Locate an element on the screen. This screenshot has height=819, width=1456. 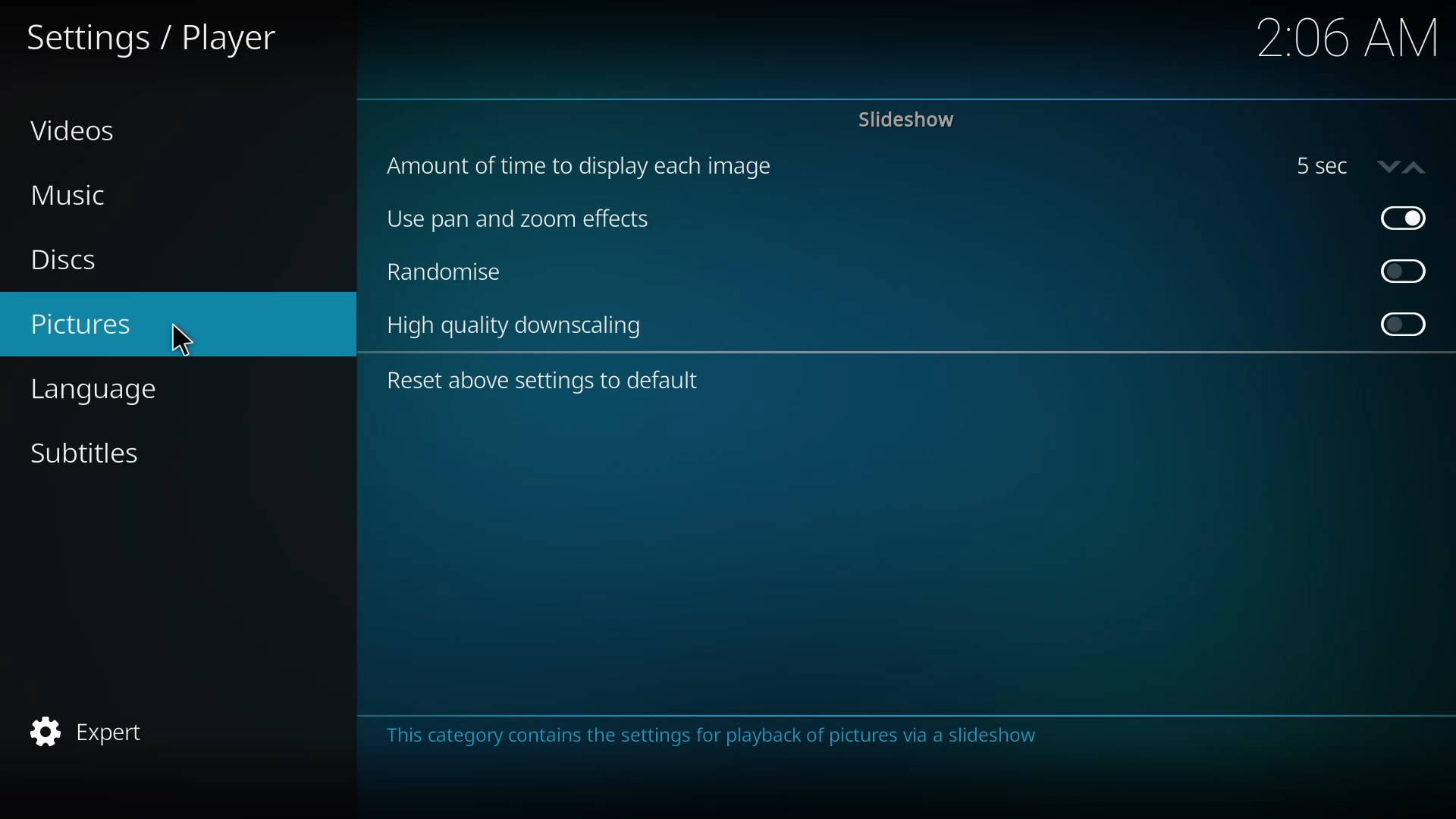
expert is located at coordinates (92, 730).